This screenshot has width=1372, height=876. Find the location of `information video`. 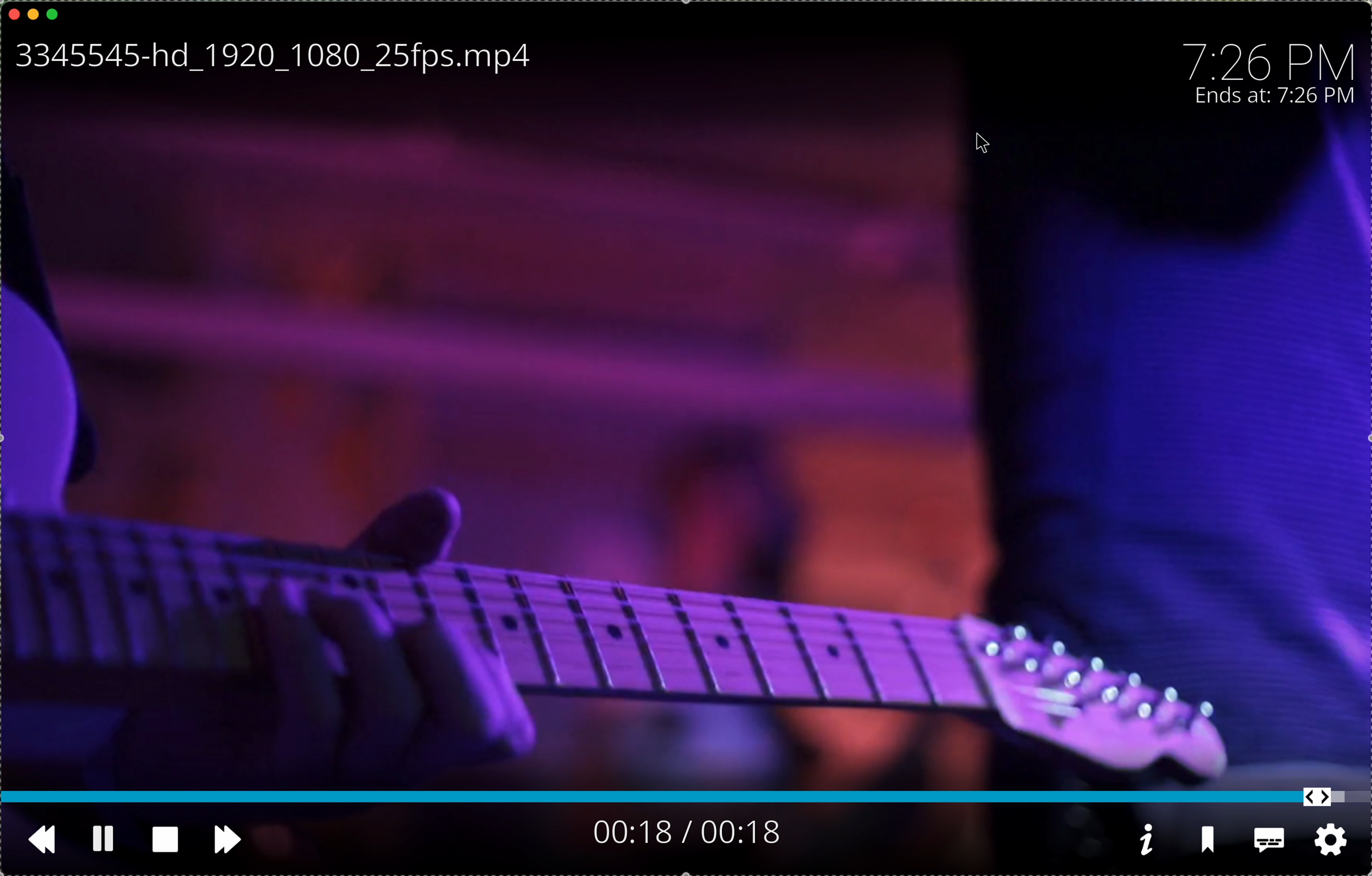

information video is located at coordinates (1146, 840).